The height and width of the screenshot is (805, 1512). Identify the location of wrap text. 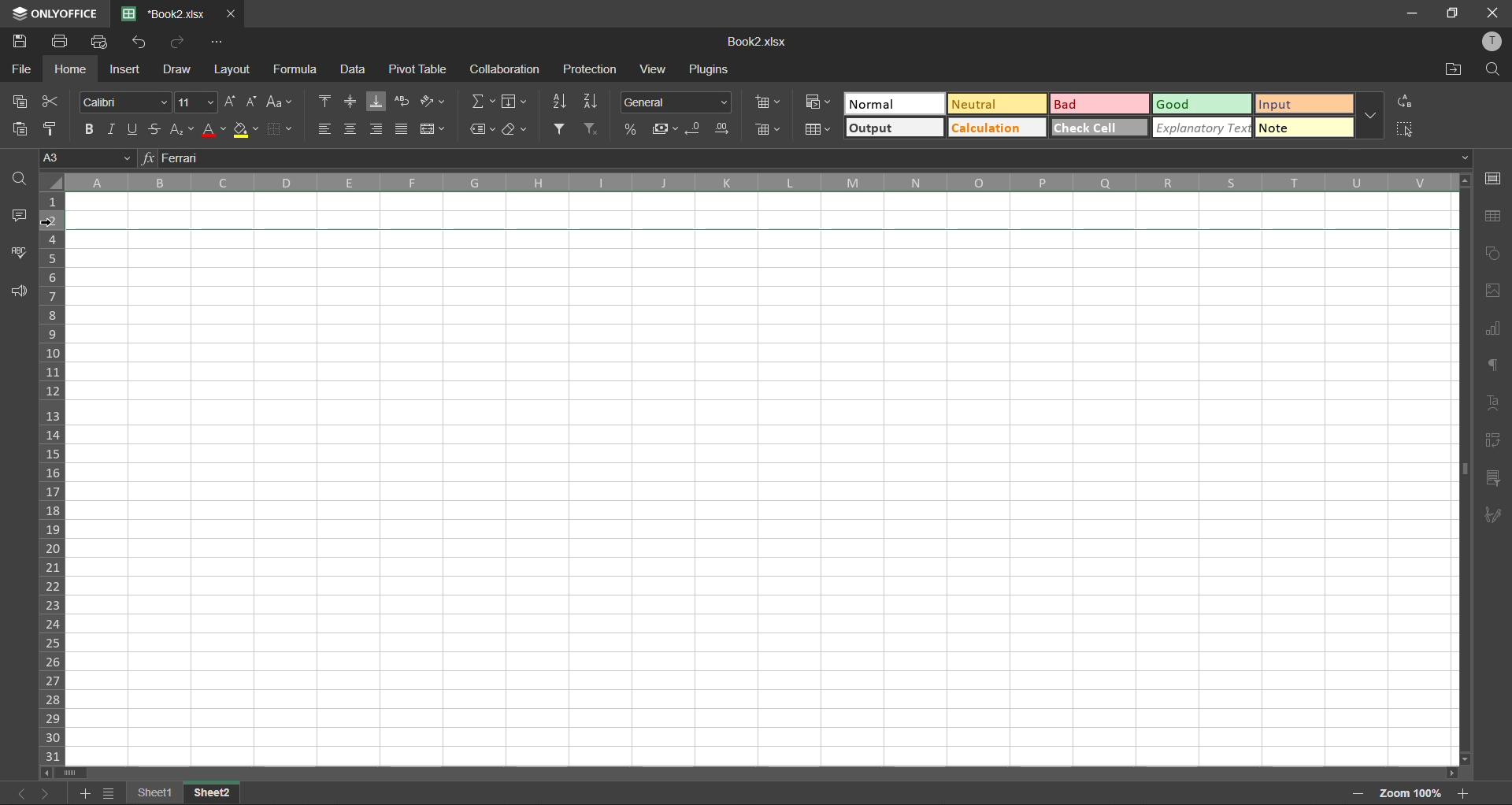
(402, 101).